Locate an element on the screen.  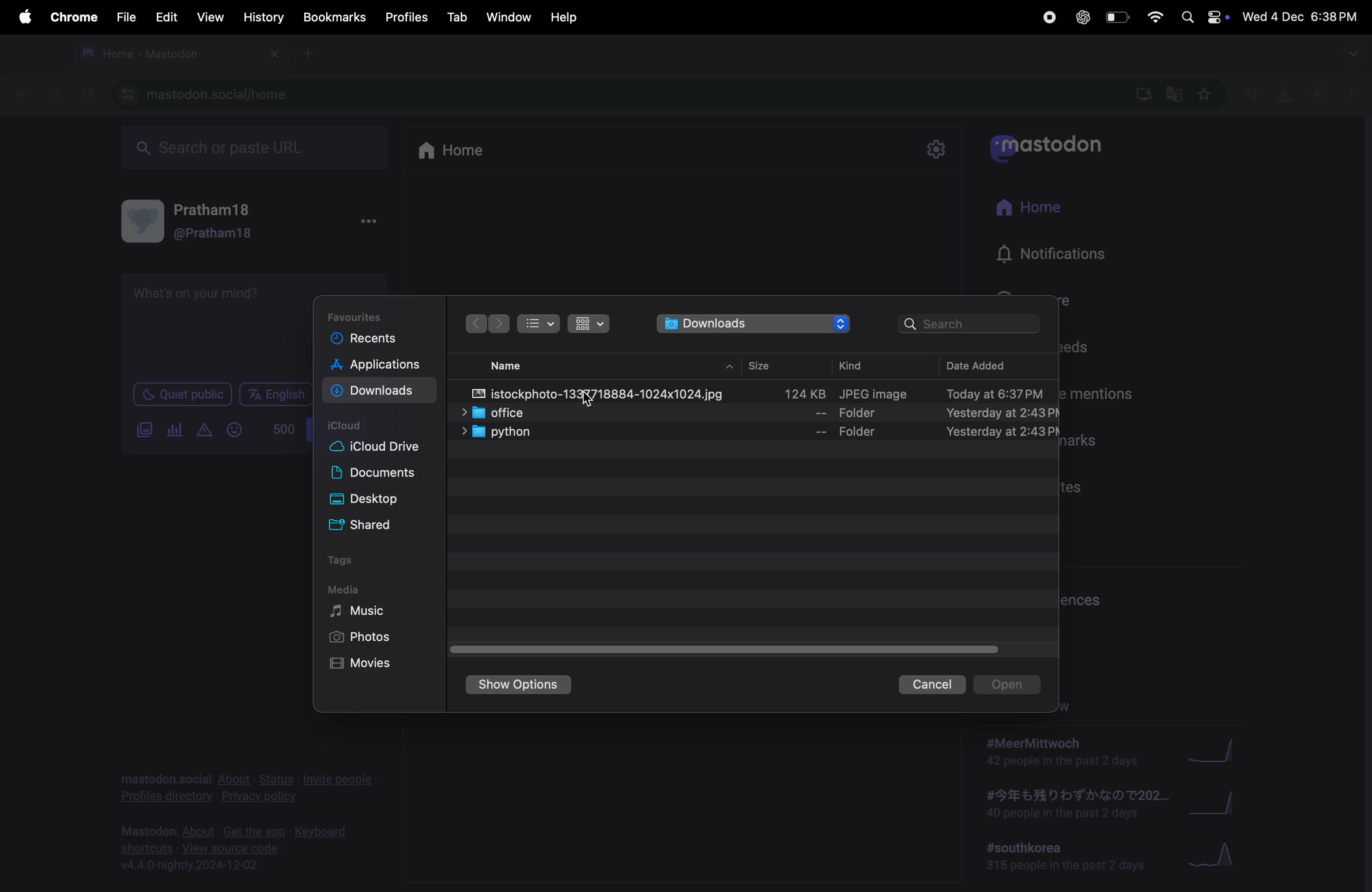
favourites is located at coordinates (362, 314).